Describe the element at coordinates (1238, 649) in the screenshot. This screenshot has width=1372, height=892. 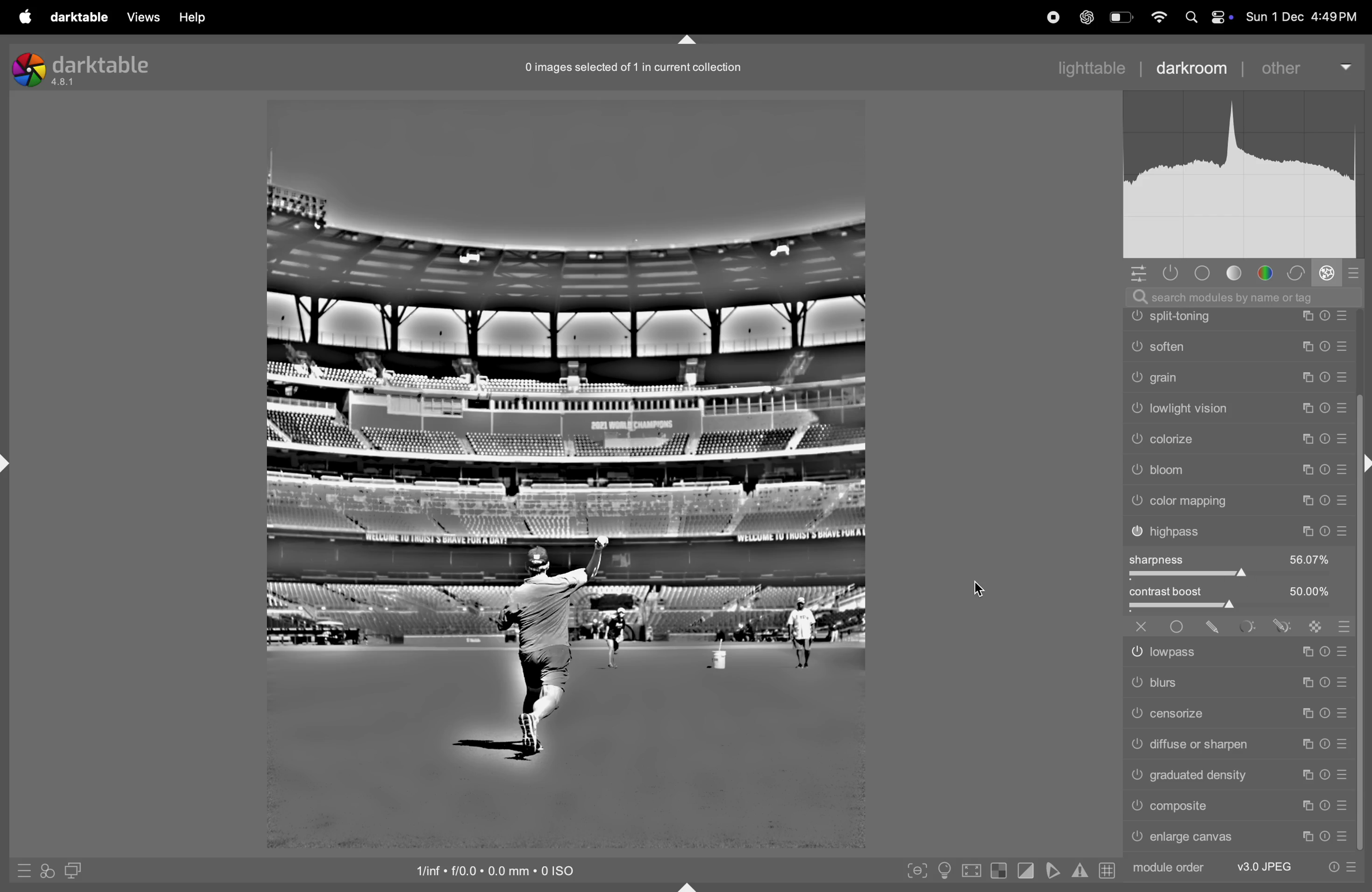
I see `low pass` at that location.